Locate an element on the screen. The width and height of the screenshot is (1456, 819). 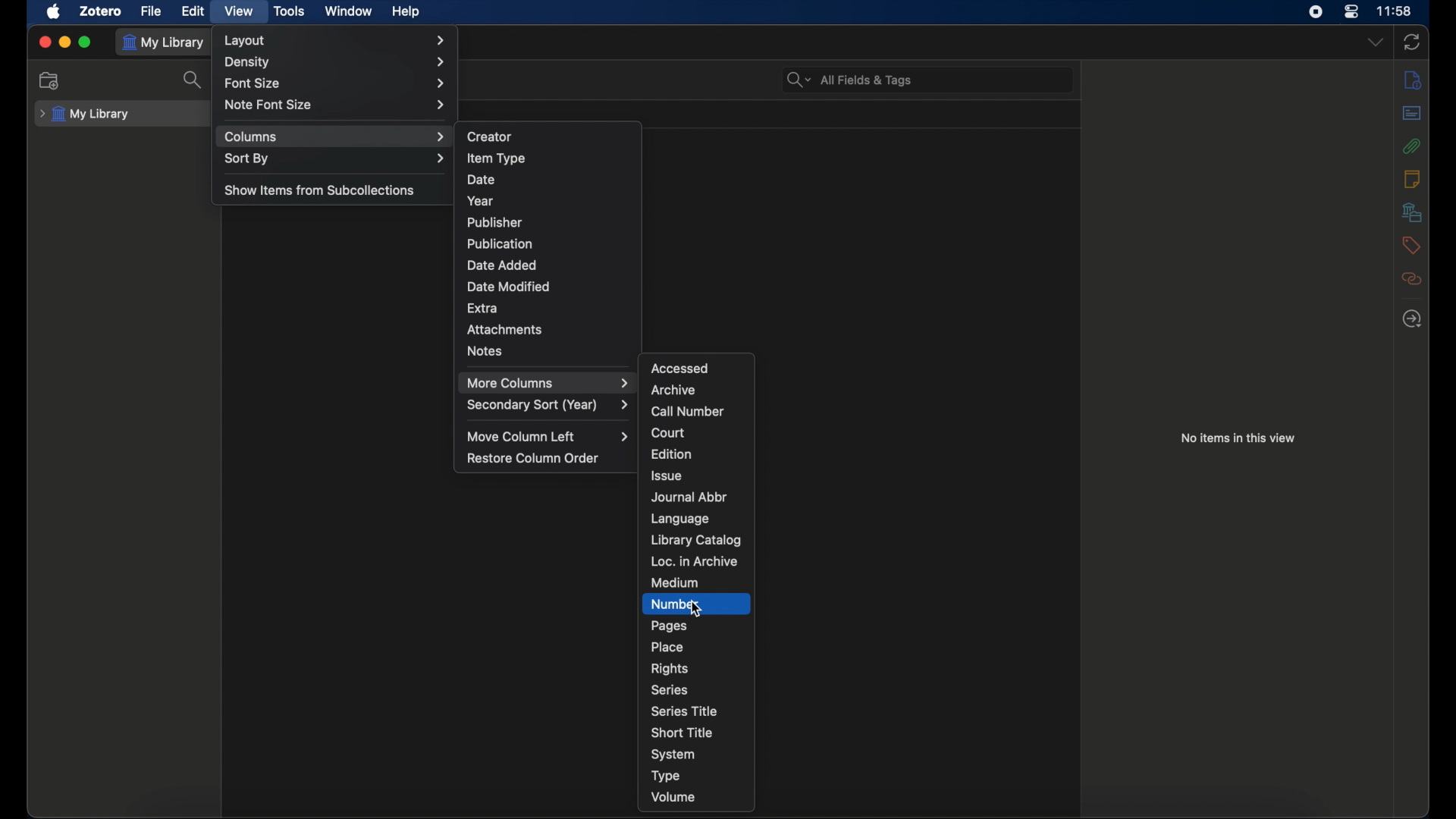
language is located at coordinates (682, 519).